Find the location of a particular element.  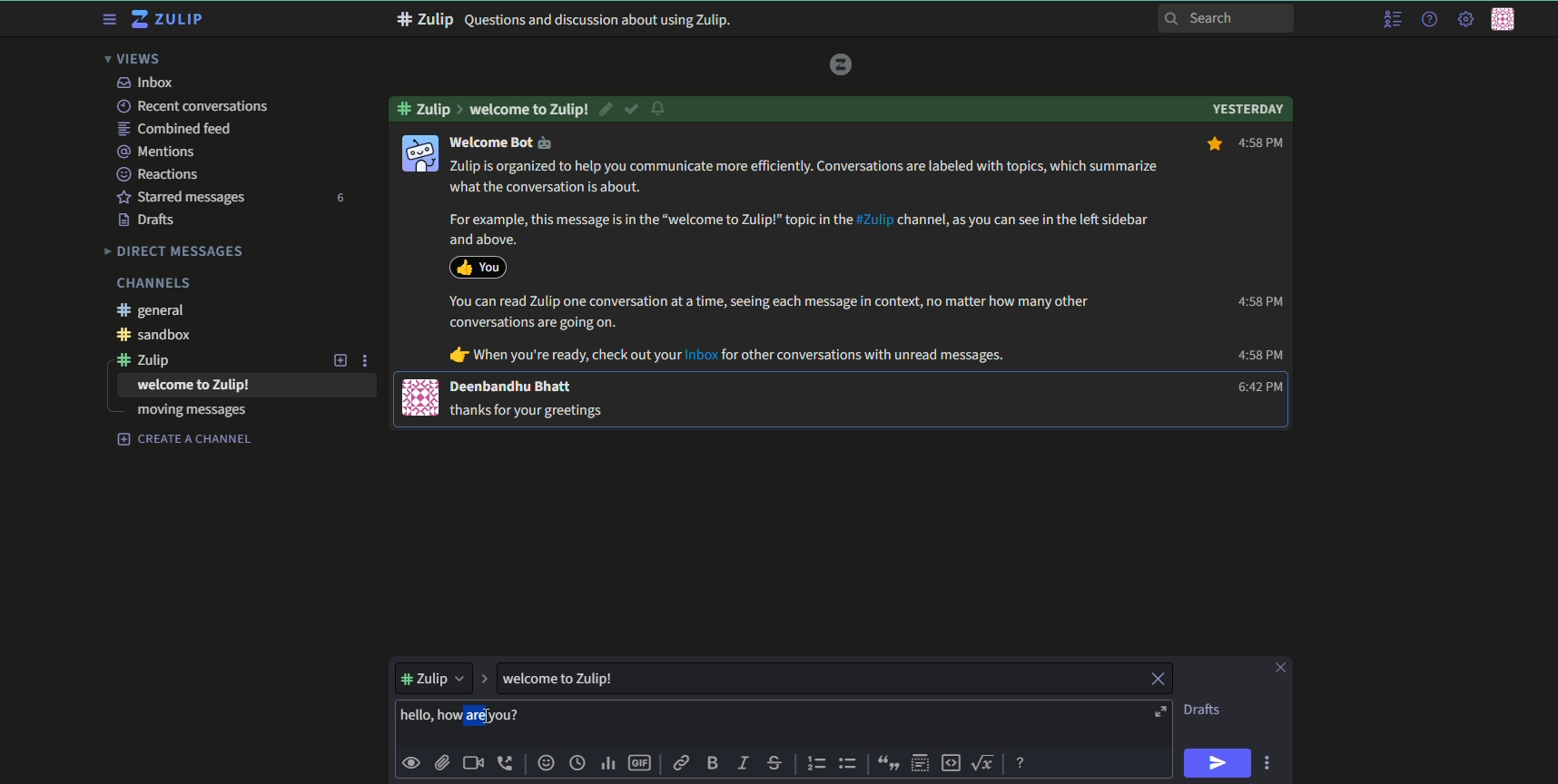

Yesterday is located at coordinates (1247, 107).